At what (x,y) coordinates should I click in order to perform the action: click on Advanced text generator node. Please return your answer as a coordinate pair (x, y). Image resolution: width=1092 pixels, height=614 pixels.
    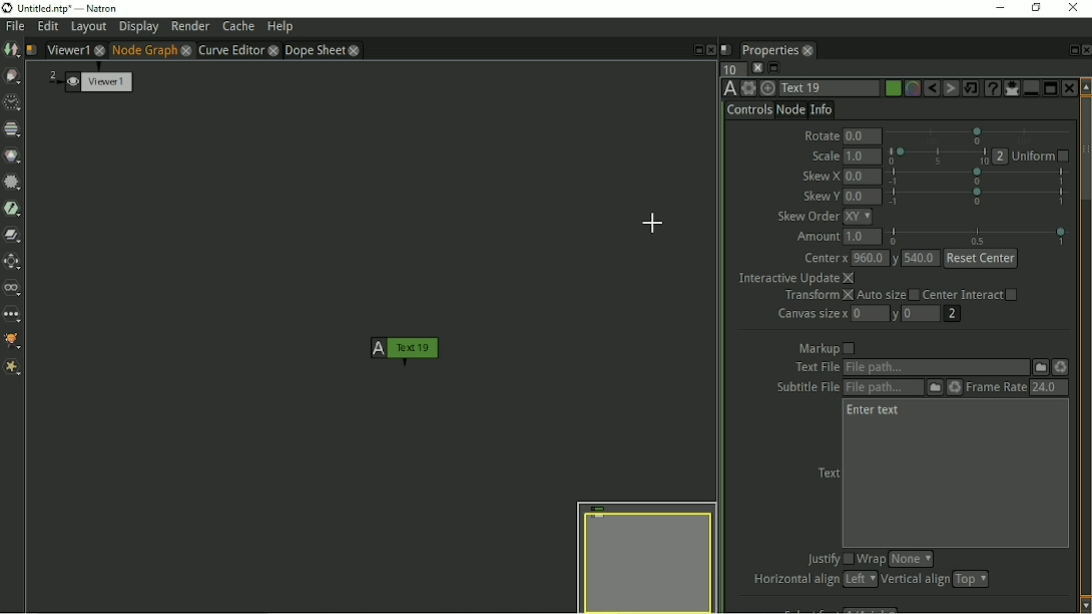
    Looking at the image, I should click on (992, 88).